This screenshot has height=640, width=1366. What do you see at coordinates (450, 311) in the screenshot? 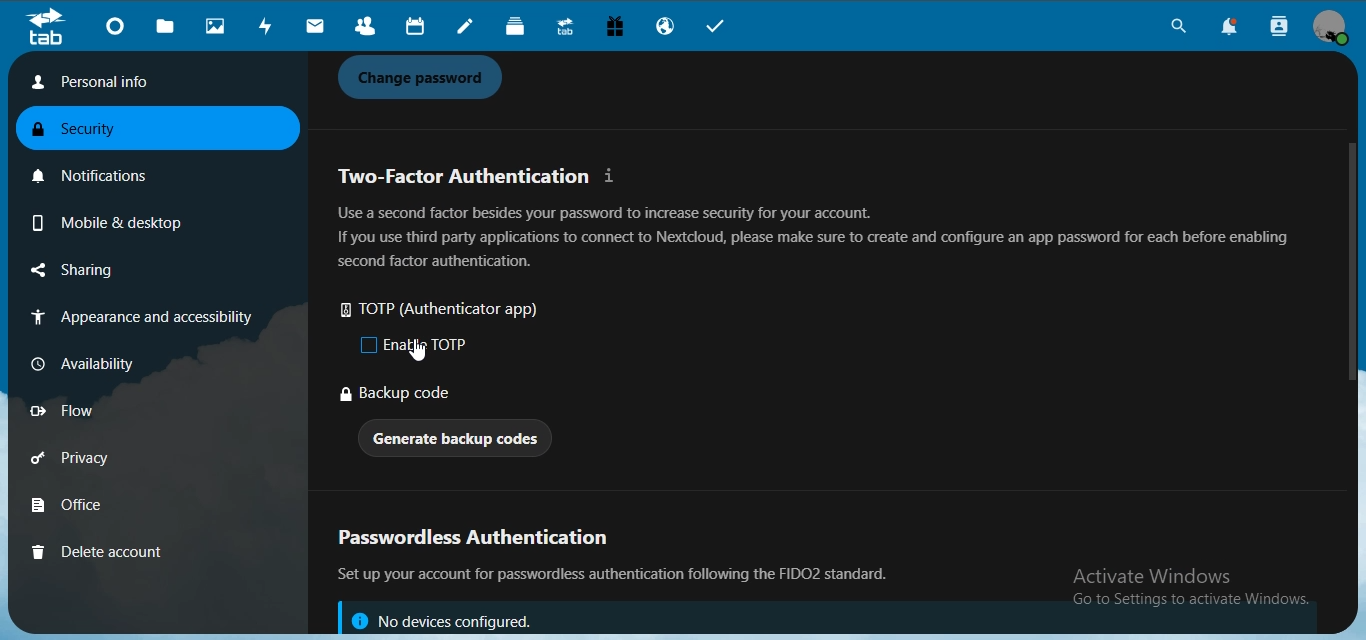
I see `TOTP` at bounding box center [450, 311].